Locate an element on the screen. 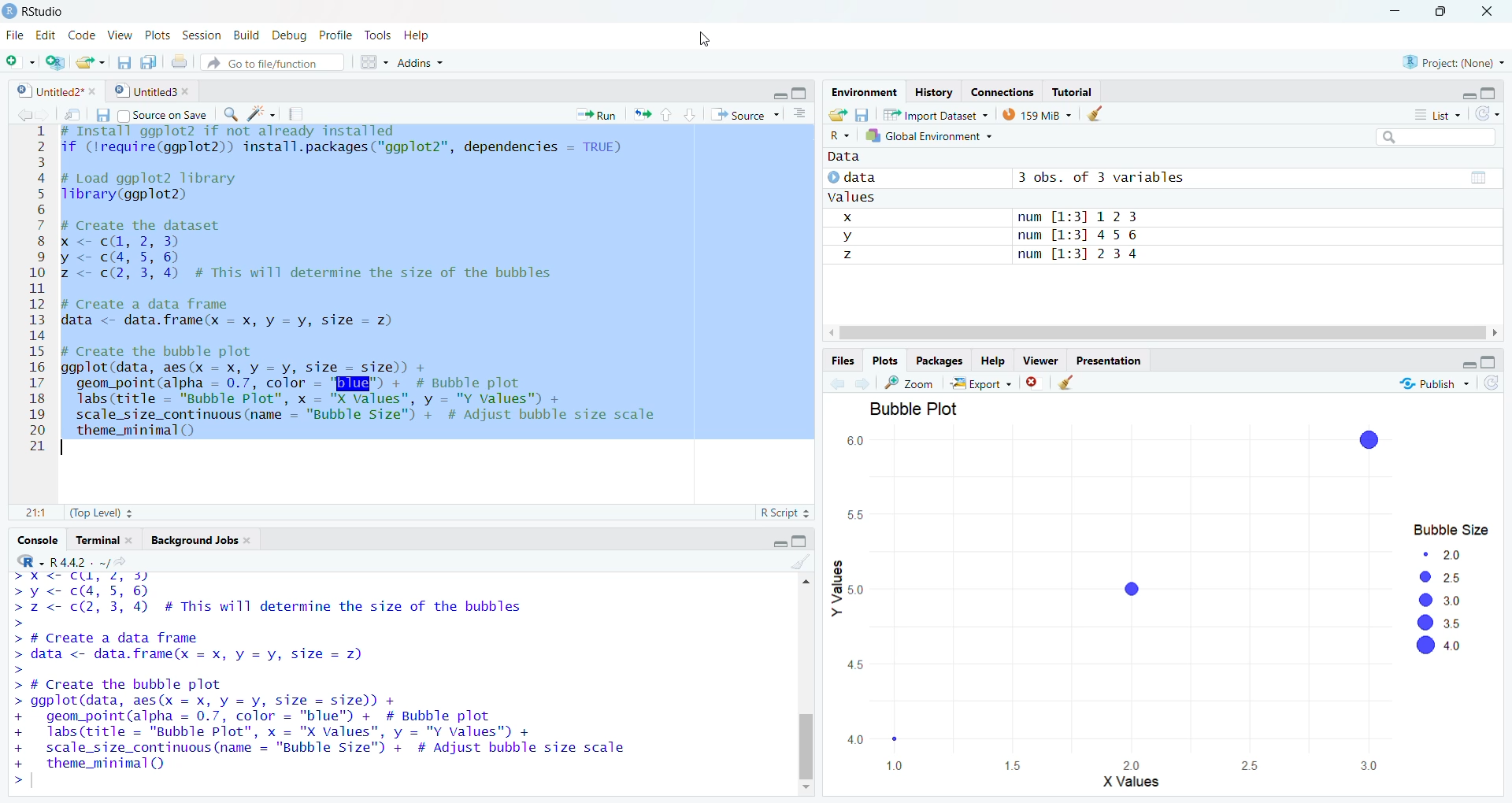  138 MB is located at coordinates (1037, 113).